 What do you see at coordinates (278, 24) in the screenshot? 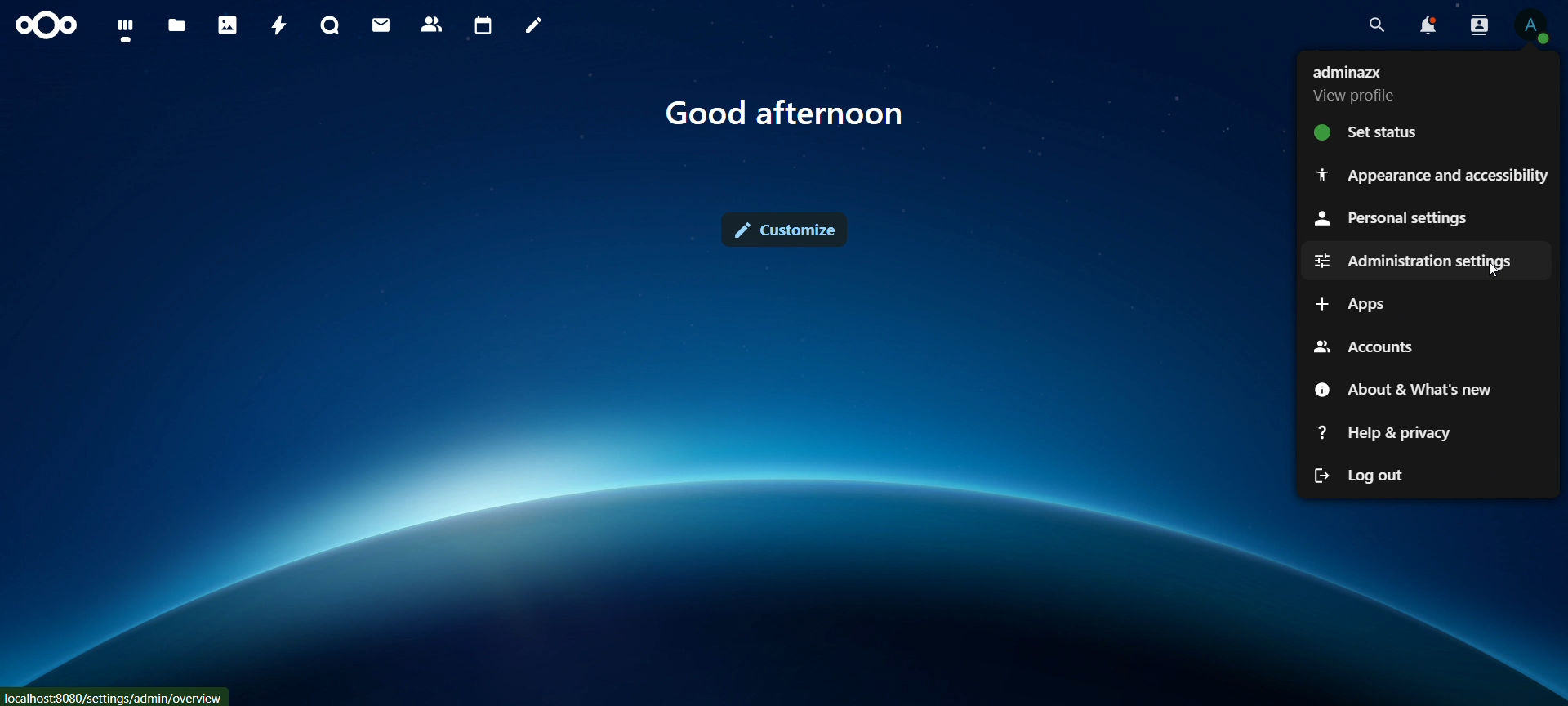
I see `activity` at bounding box center [278, 24].